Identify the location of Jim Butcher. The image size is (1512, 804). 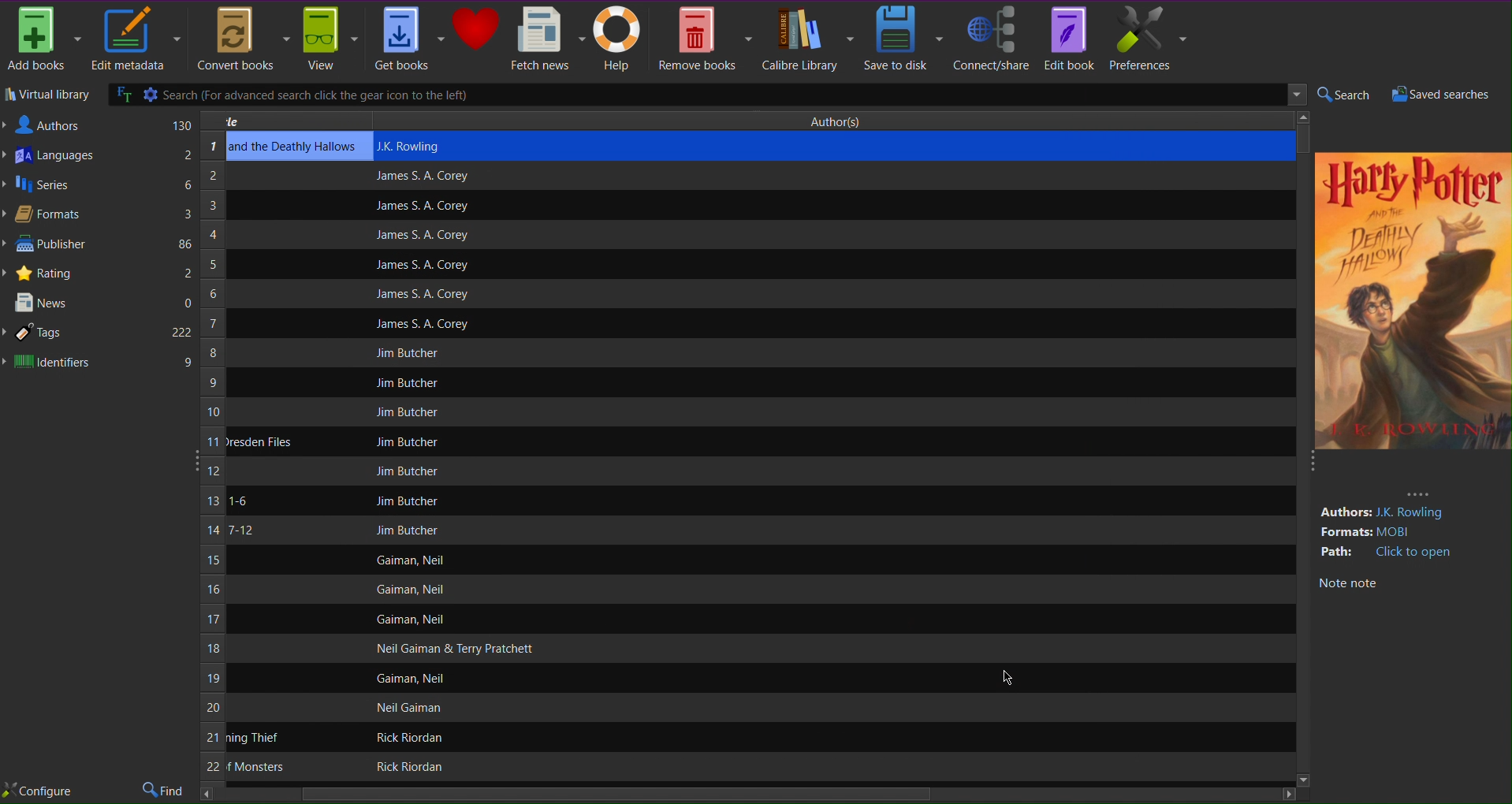
(407, 471).